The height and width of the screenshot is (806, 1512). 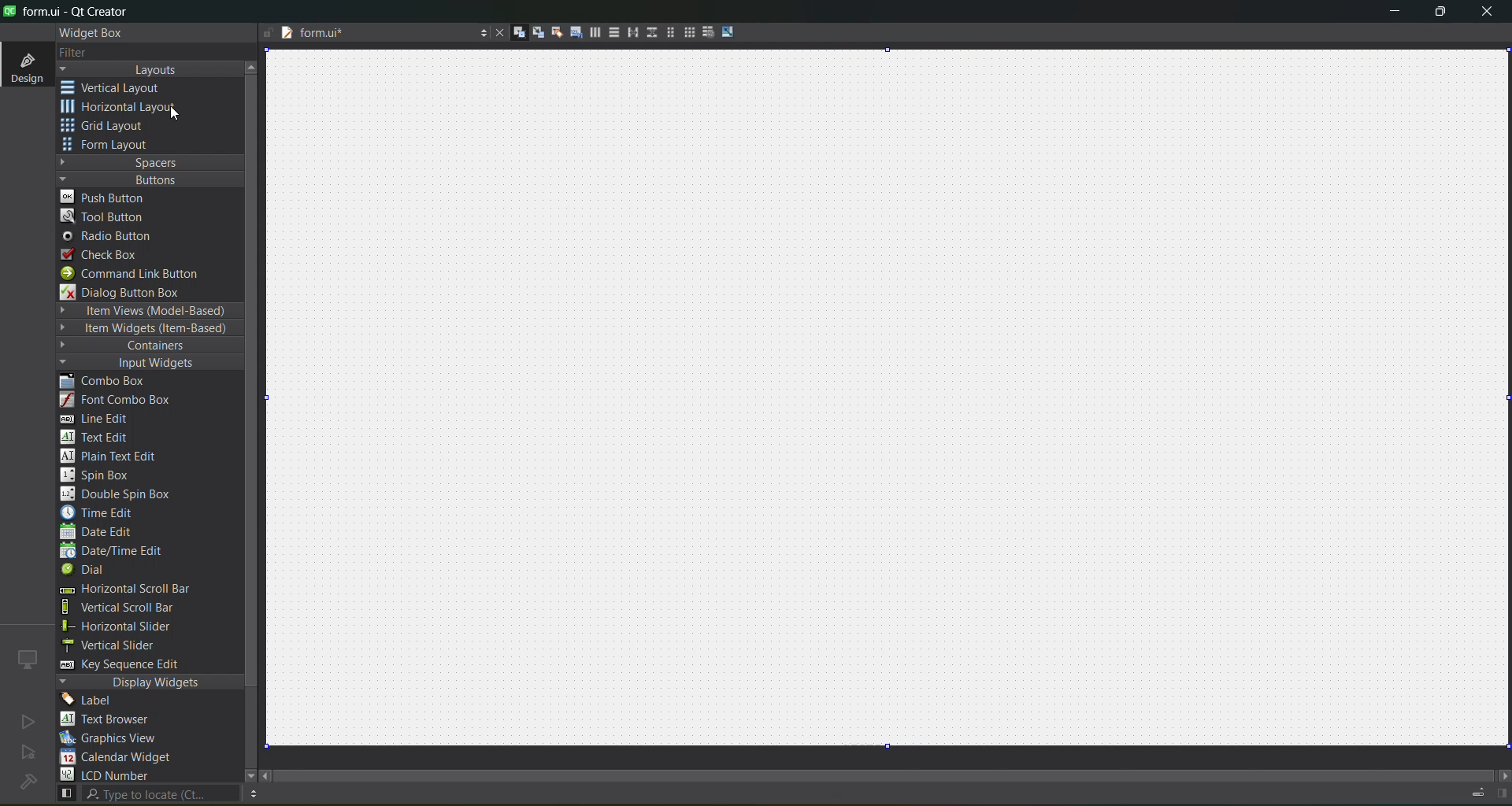 What do you see at coordinates (268, 34) in the screenshot?
I see `file is writable` at bounding box center [268, 34].